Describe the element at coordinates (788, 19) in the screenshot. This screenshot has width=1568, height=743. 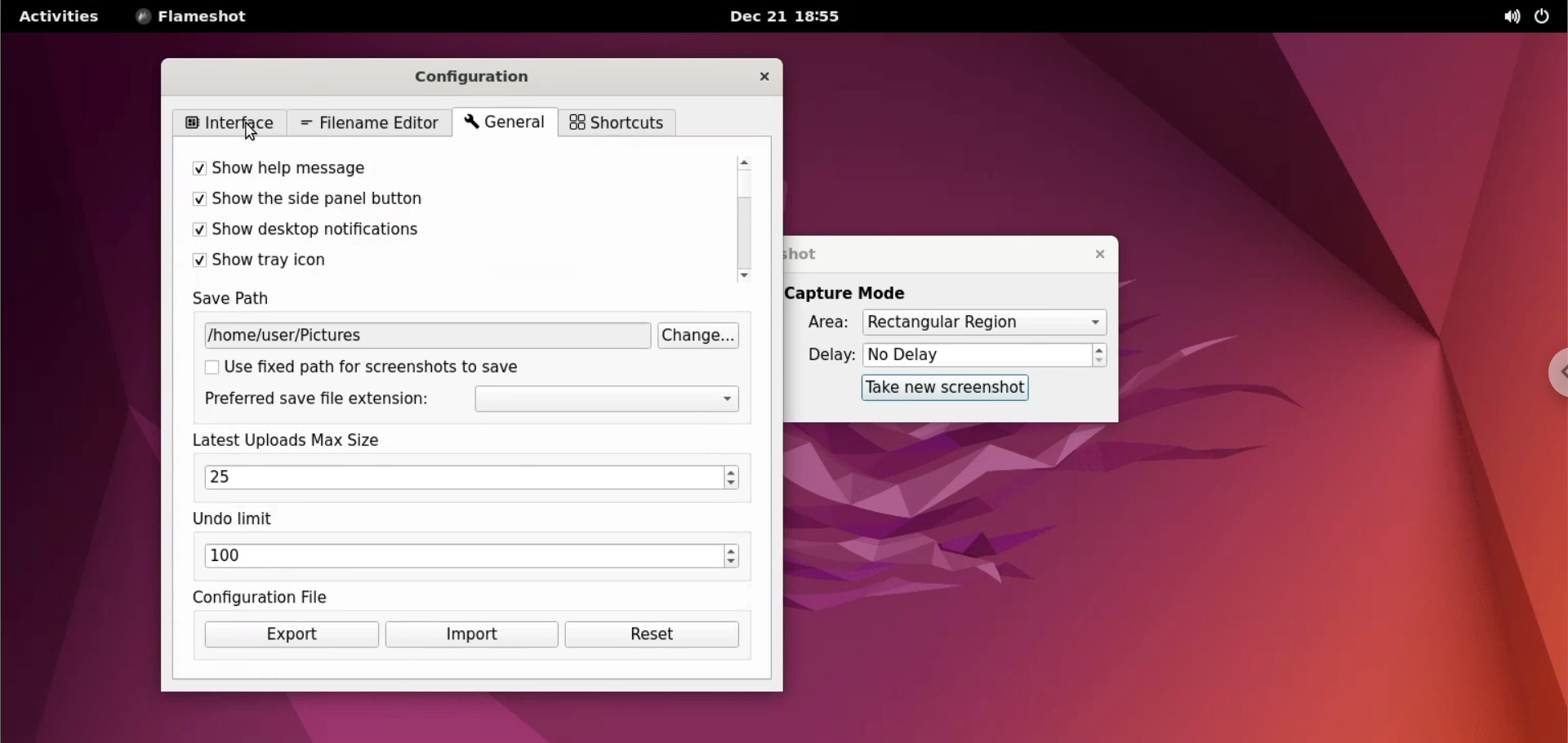
I see `Dec 21 18:55` at that location.